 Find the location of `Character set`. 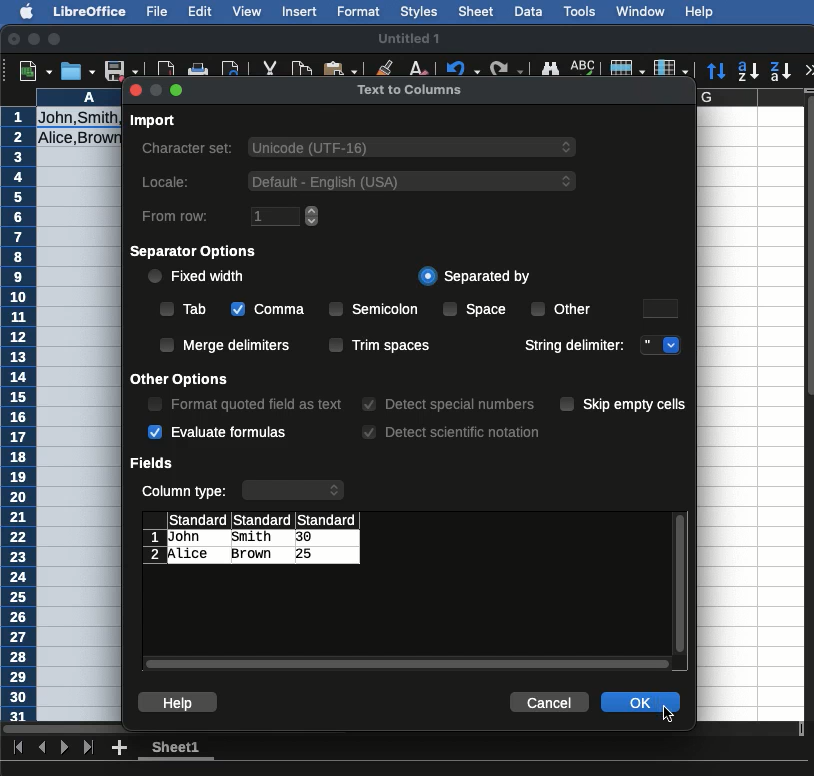

Character set is located at coordinates (360, 150).